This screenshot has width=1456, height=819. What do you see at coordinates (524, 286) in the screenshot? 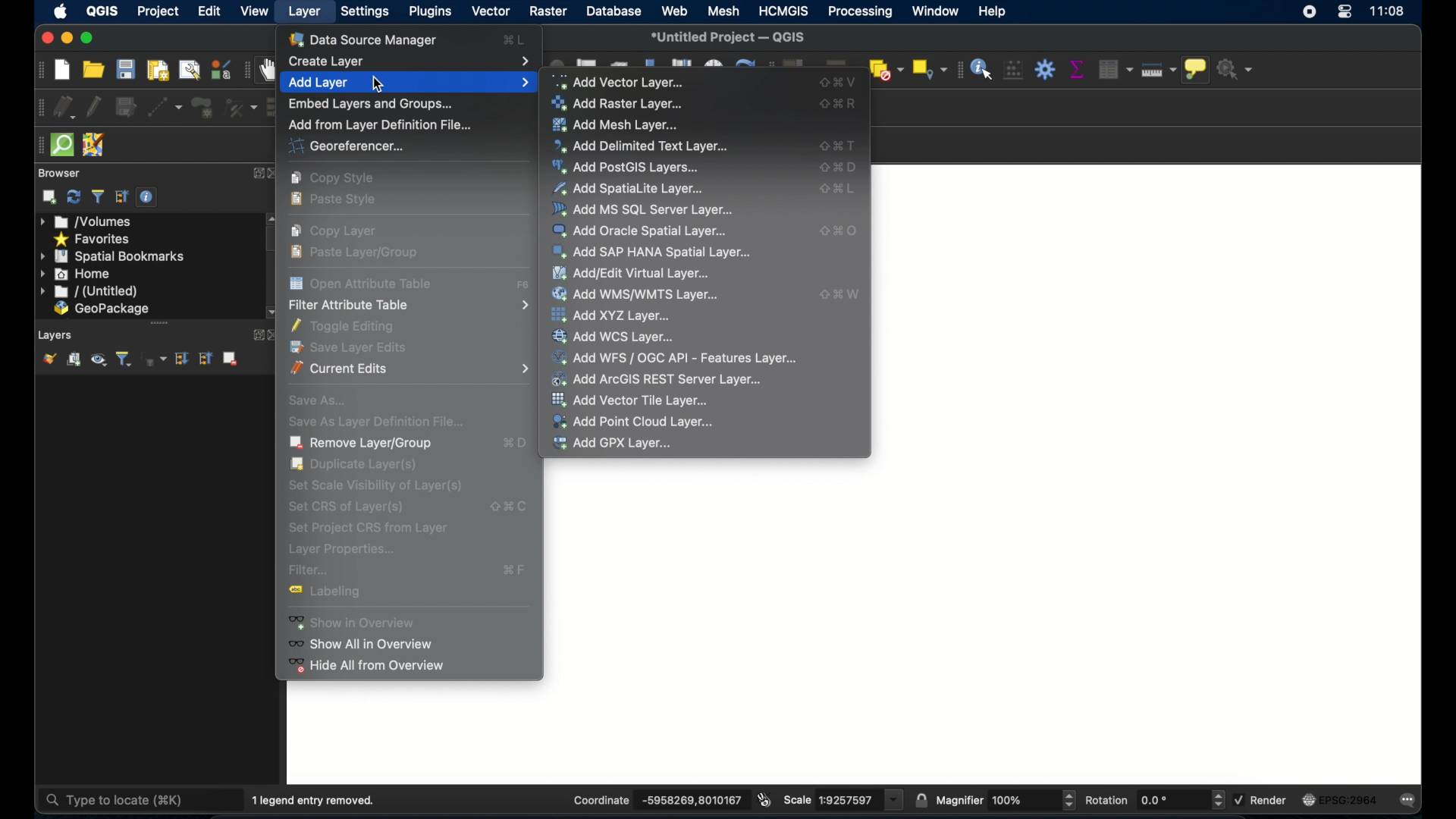
I see `open attribute table` at bounding box center [524, 286].